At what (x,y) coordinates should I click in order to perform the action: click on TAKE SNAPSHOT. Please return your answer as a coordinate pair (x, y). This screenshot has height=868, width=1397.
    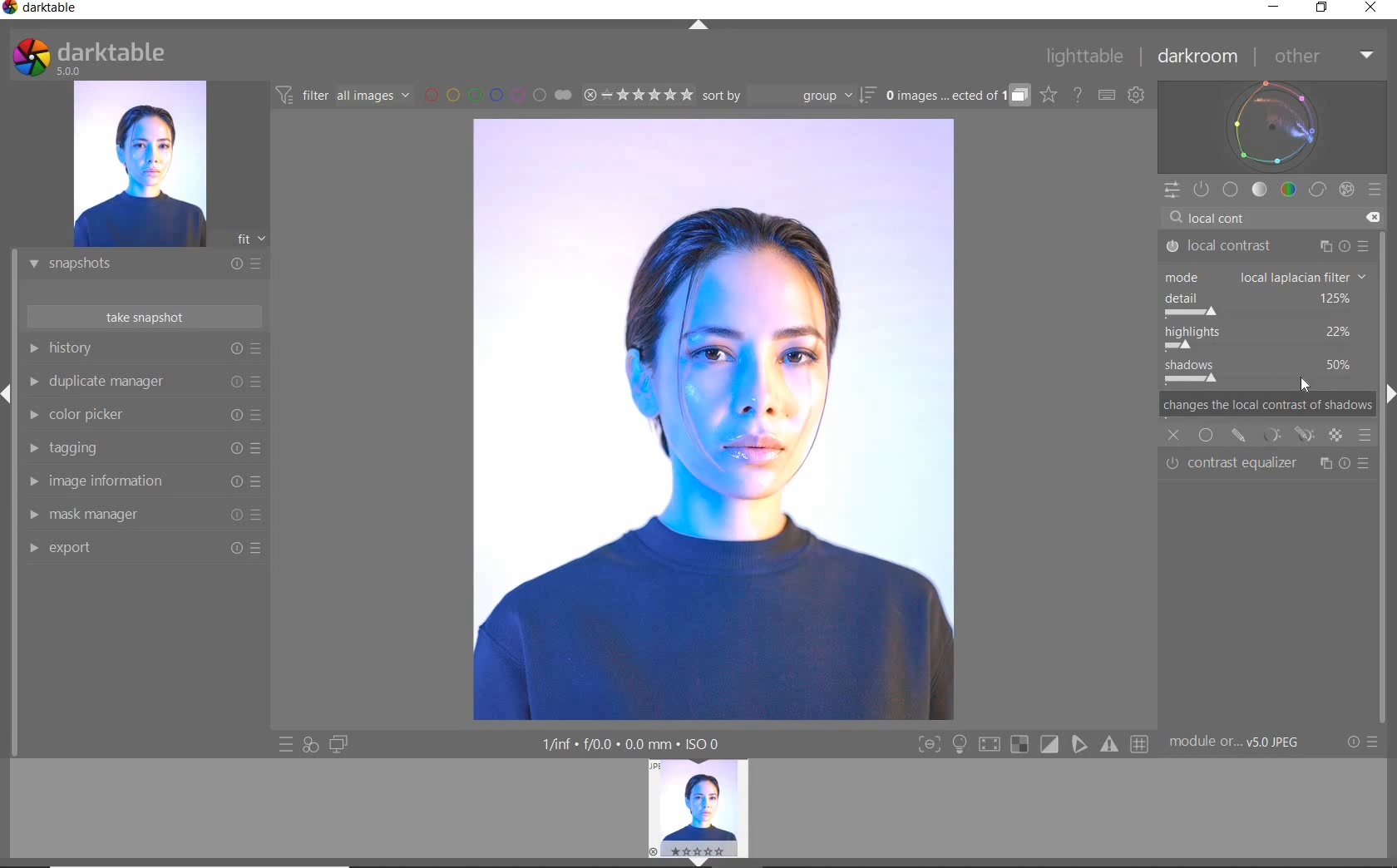
    Looking at the image, I should click on (143, 316).